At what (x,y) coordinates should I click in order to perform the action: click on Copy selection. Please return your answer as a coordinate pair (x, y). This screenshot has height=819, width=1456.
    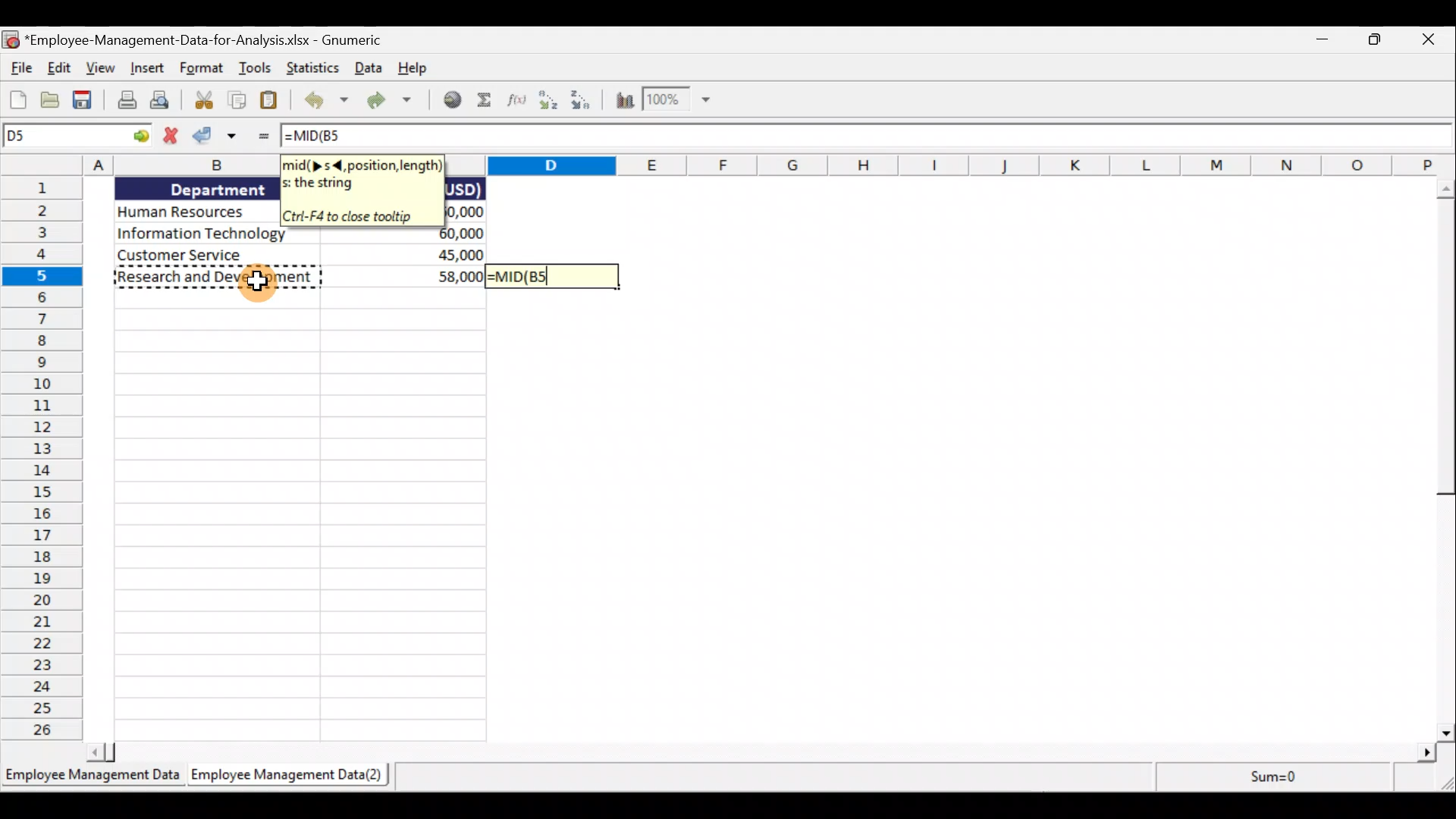
    Looking at the image, I should click on (234, 100).